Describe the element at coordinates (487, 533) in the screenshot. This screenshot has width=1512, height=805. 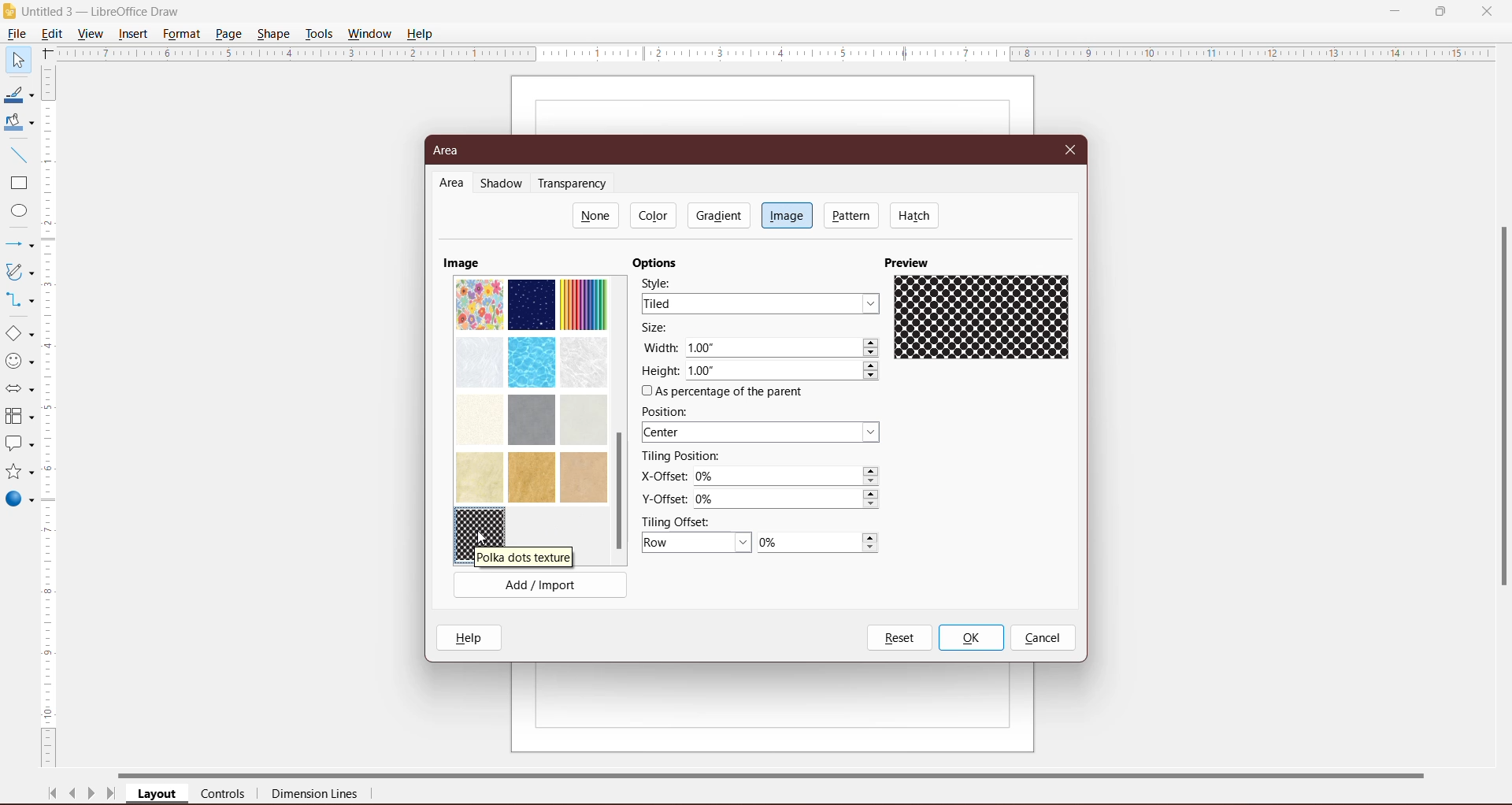
I see `Cursor` at that location.